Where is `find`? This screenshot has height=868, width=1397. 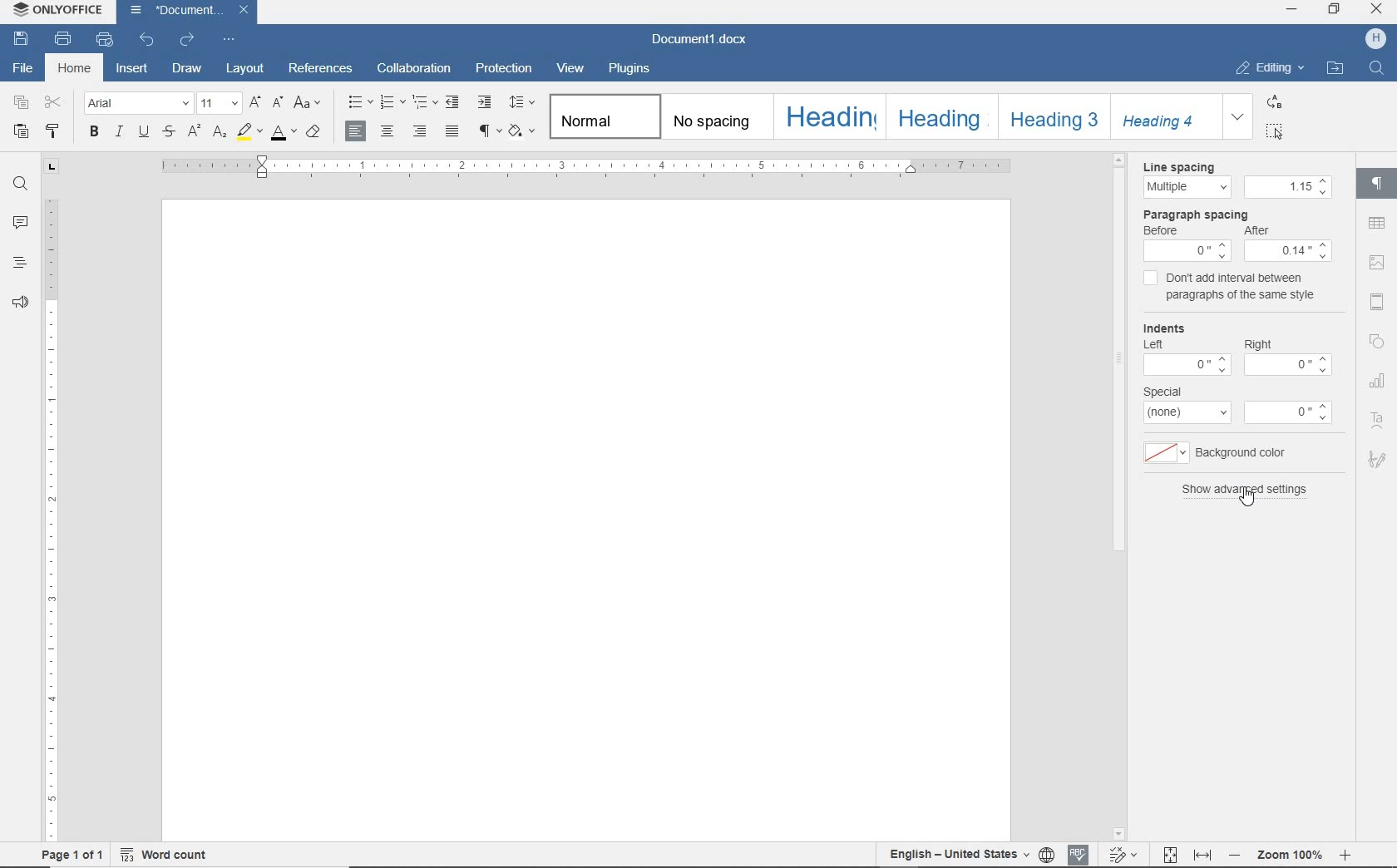
find is located at coordinates (17, 184).